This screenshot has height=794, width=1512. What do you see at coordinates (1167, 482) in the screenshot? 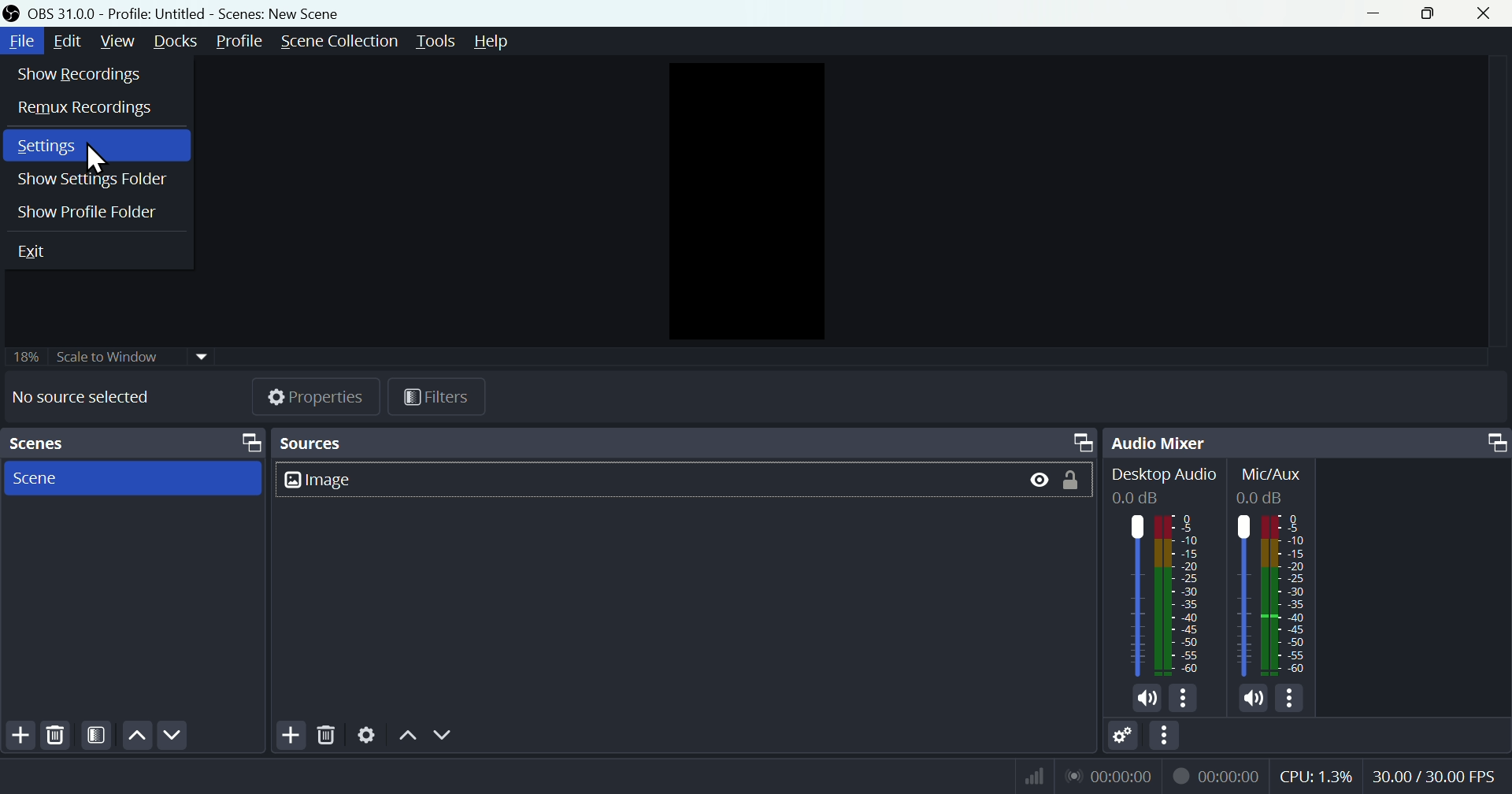
I see `Desktop Audio` at bounding box center [1167, 482].